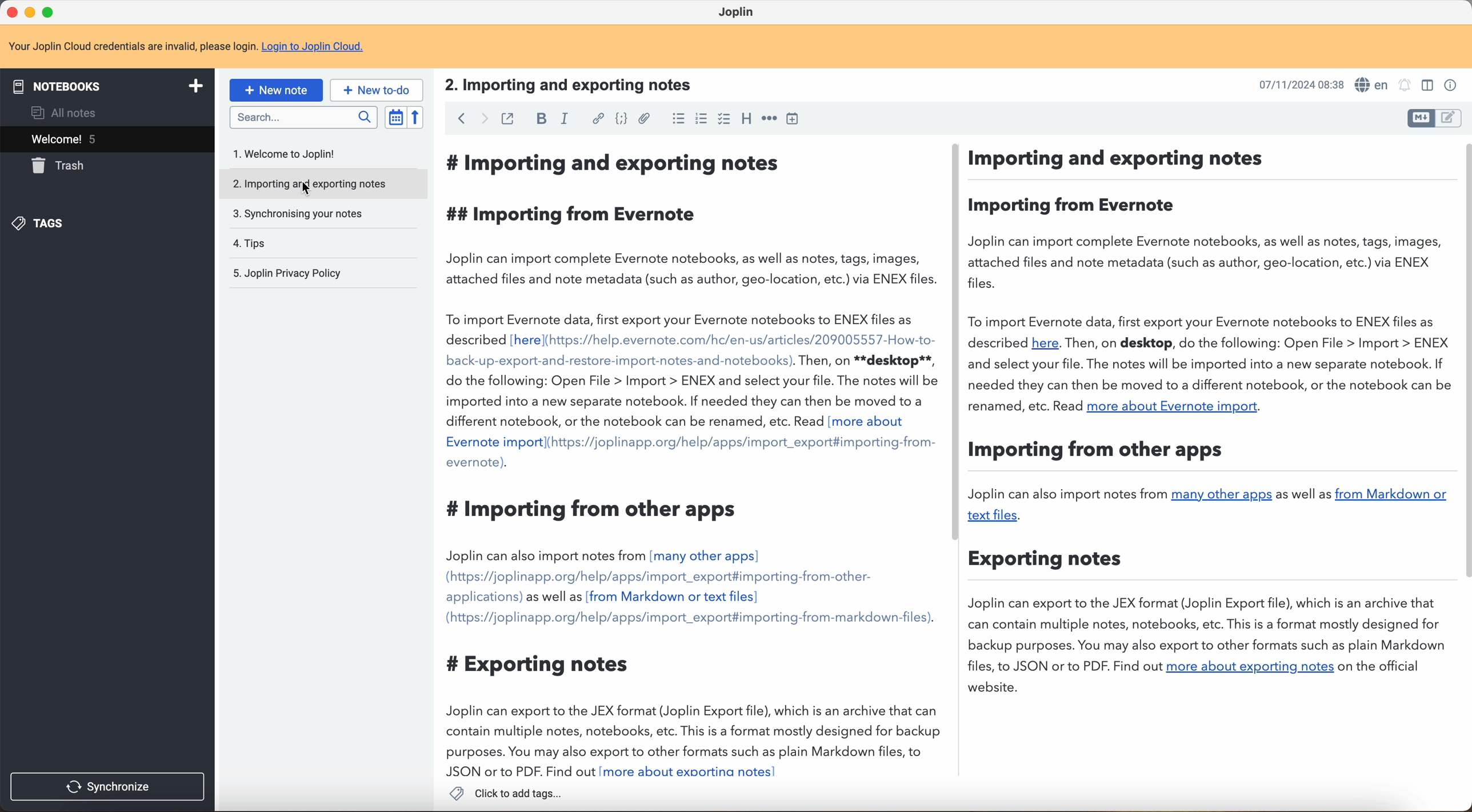  I want to click on toggle editor layout, so click(1425, 86).